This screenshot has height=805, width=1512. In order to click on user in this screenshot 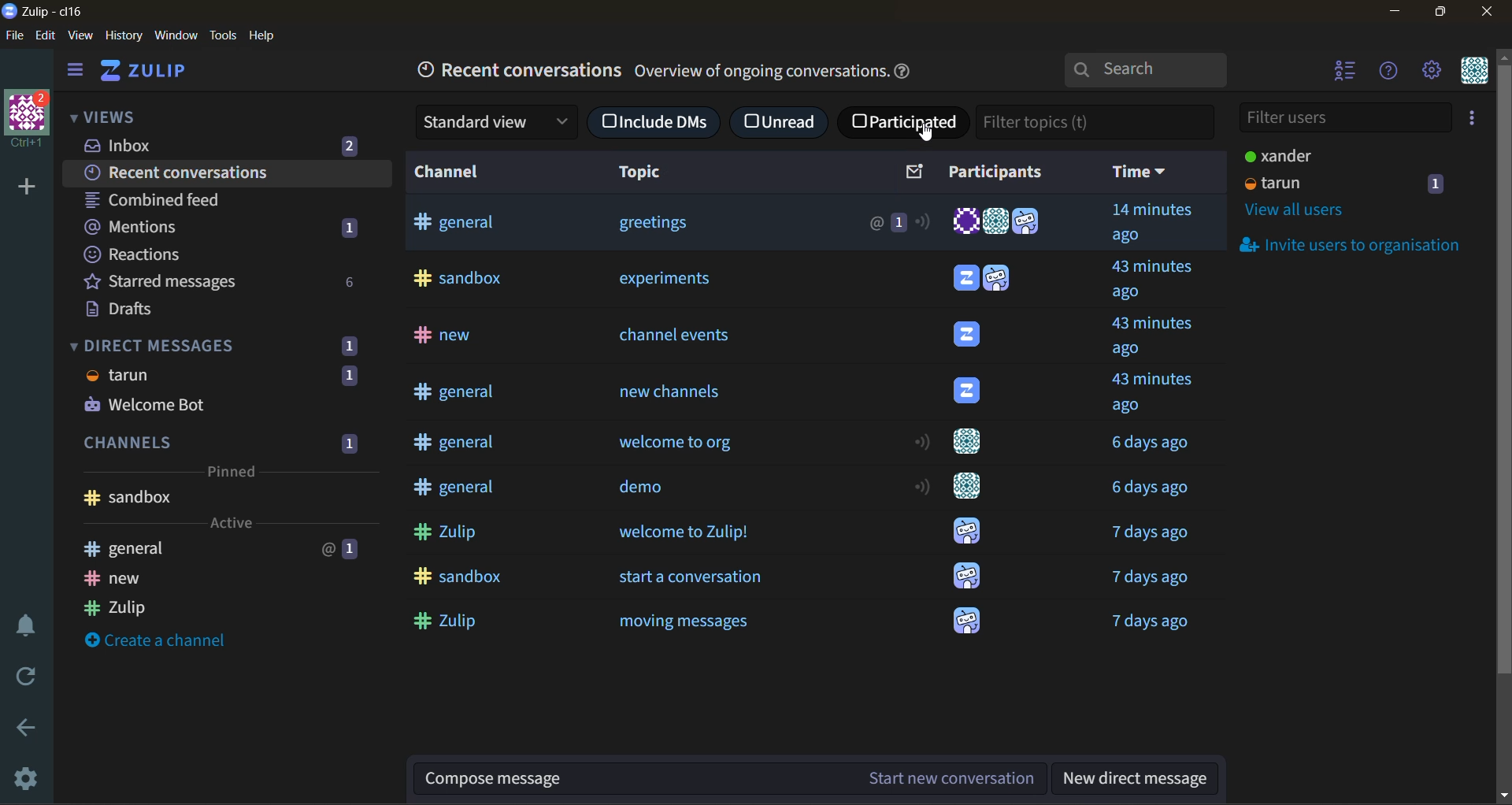, I will do `click(970, 532)`.